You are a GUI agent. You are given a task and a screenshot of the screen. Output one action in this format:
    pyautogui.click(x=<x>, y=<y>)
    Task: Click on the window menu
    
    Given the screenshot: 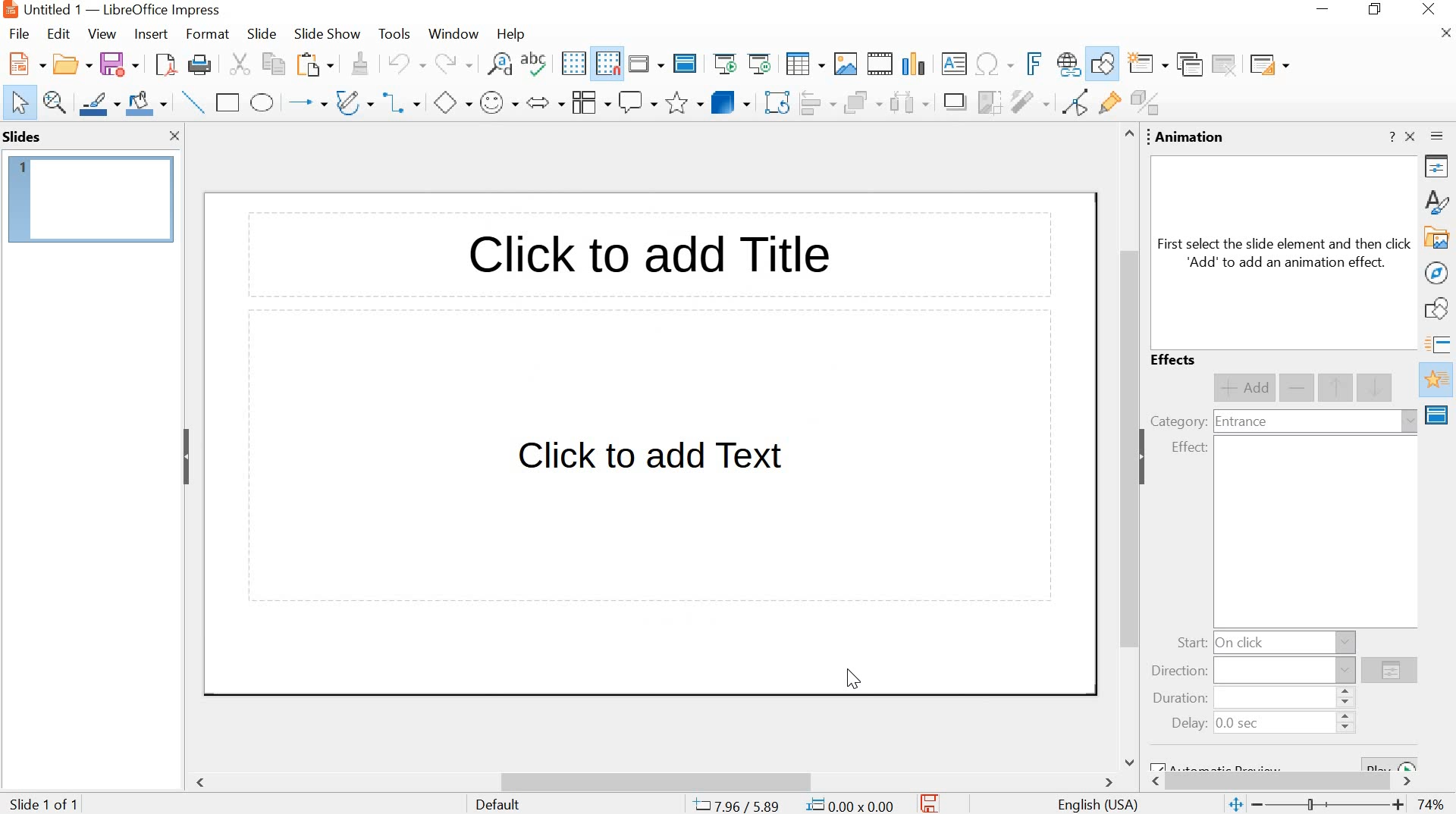 What is the action you would take?
    pyautogui.click(x=451, y=34)
    